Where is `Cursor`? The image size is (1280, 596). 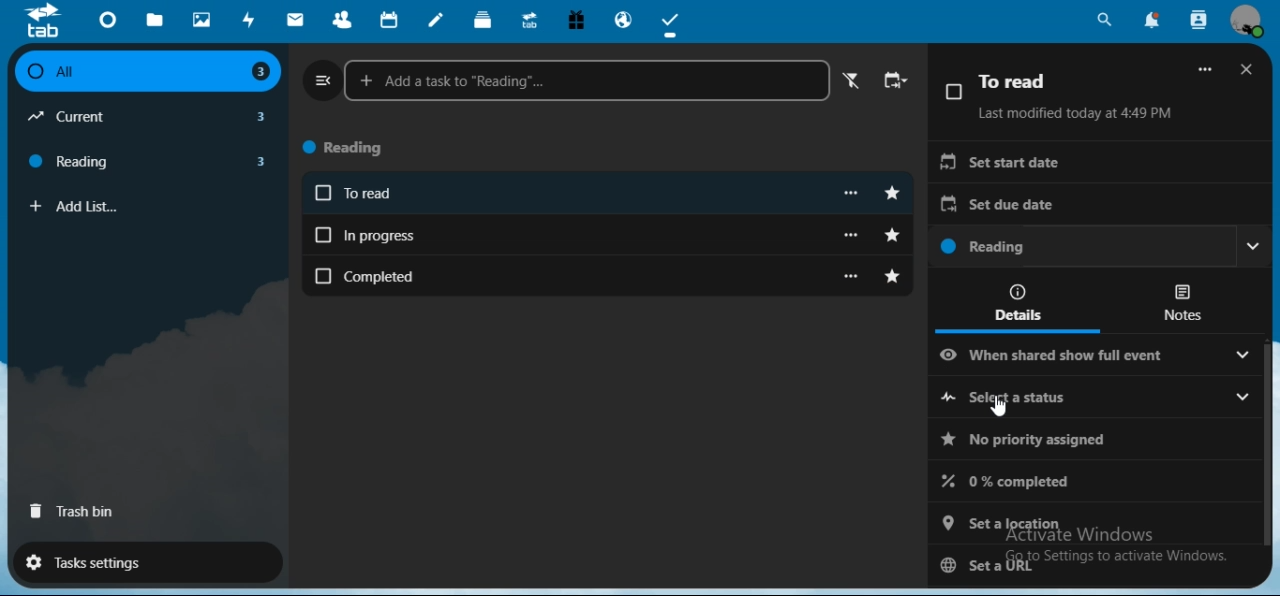
Cursor is located at coordinates (998, 405).